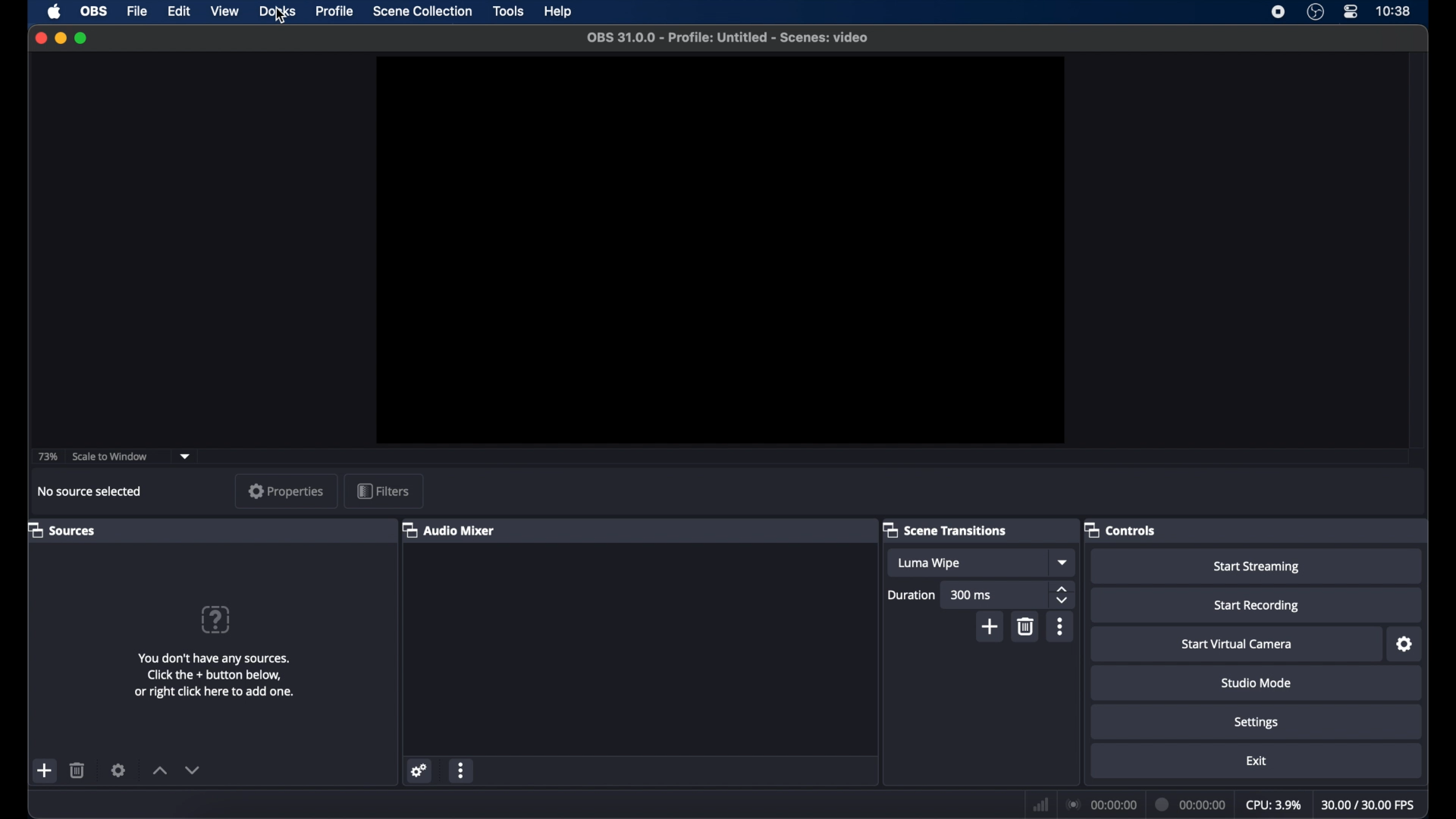  What do you see at coordinates (93, 11) in the screenshot?
I see `obs` at bounding box center [93, 11].